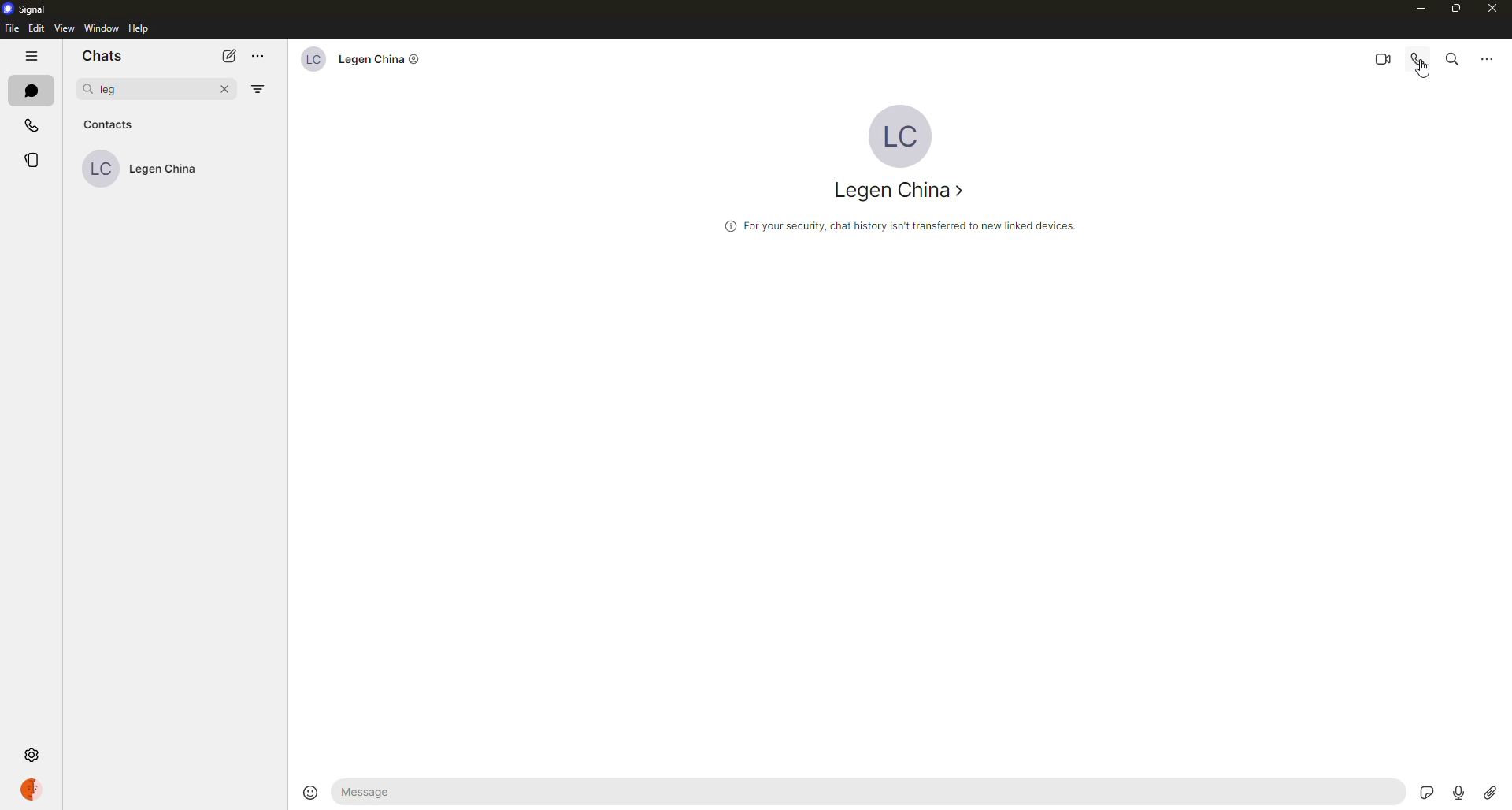  Describe the element at coordinates (309, 792) in the screenshot. I see `emoji` at that location.